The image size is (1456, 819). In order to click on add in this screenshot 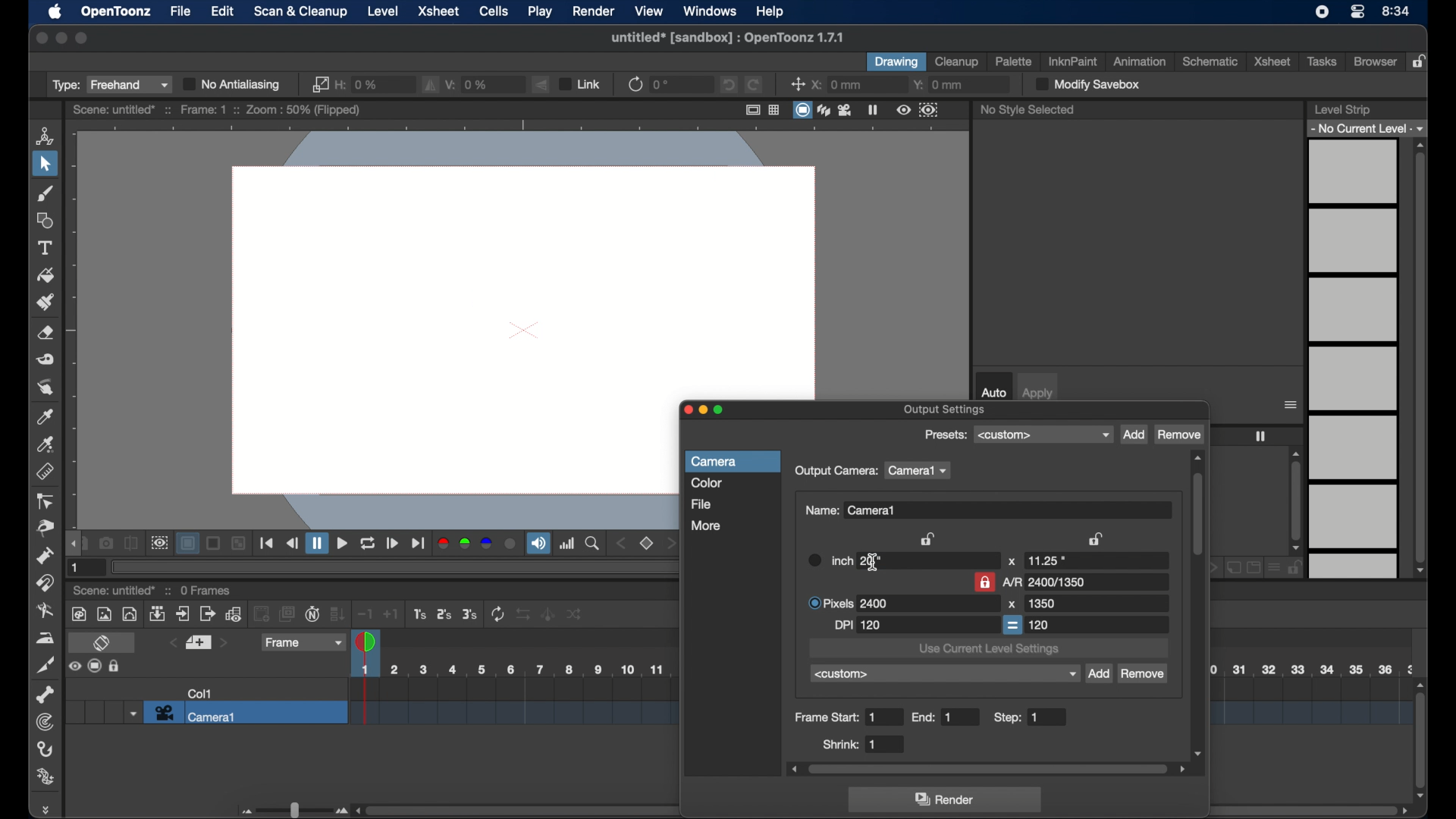, I will do `click(1134, 435)`.